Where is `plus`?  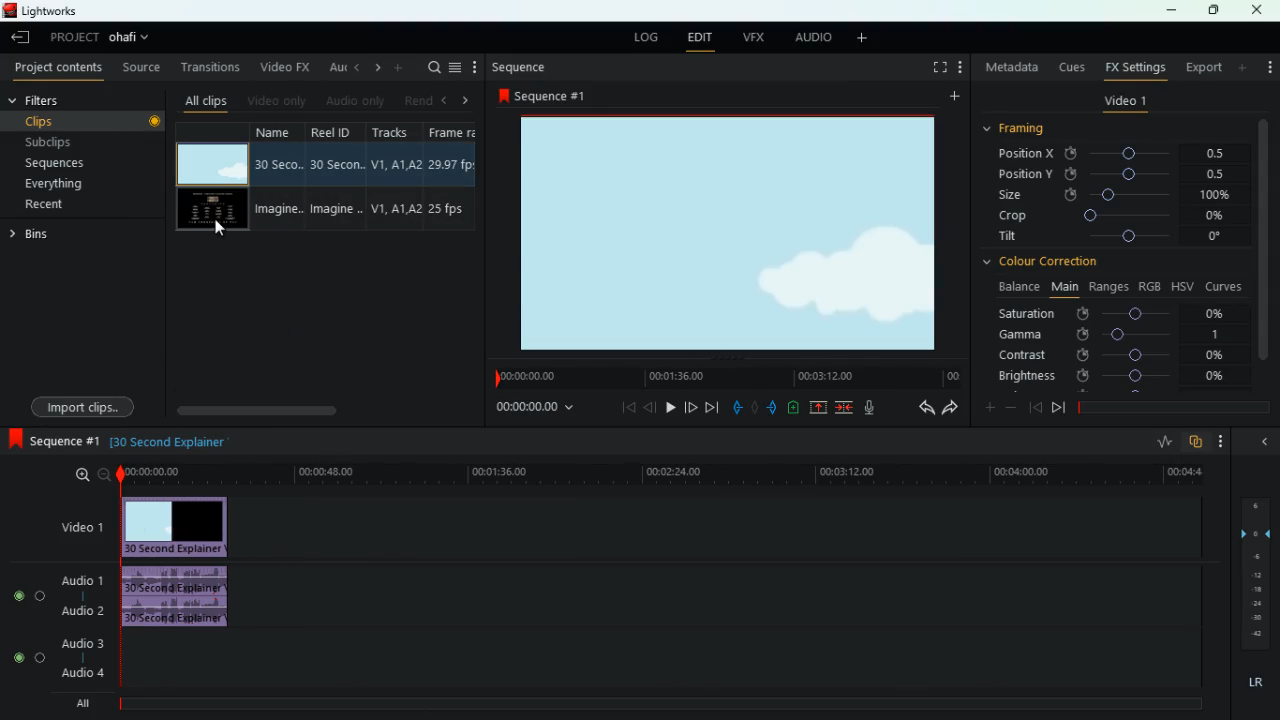
plus is located at coordinates (987, 409).